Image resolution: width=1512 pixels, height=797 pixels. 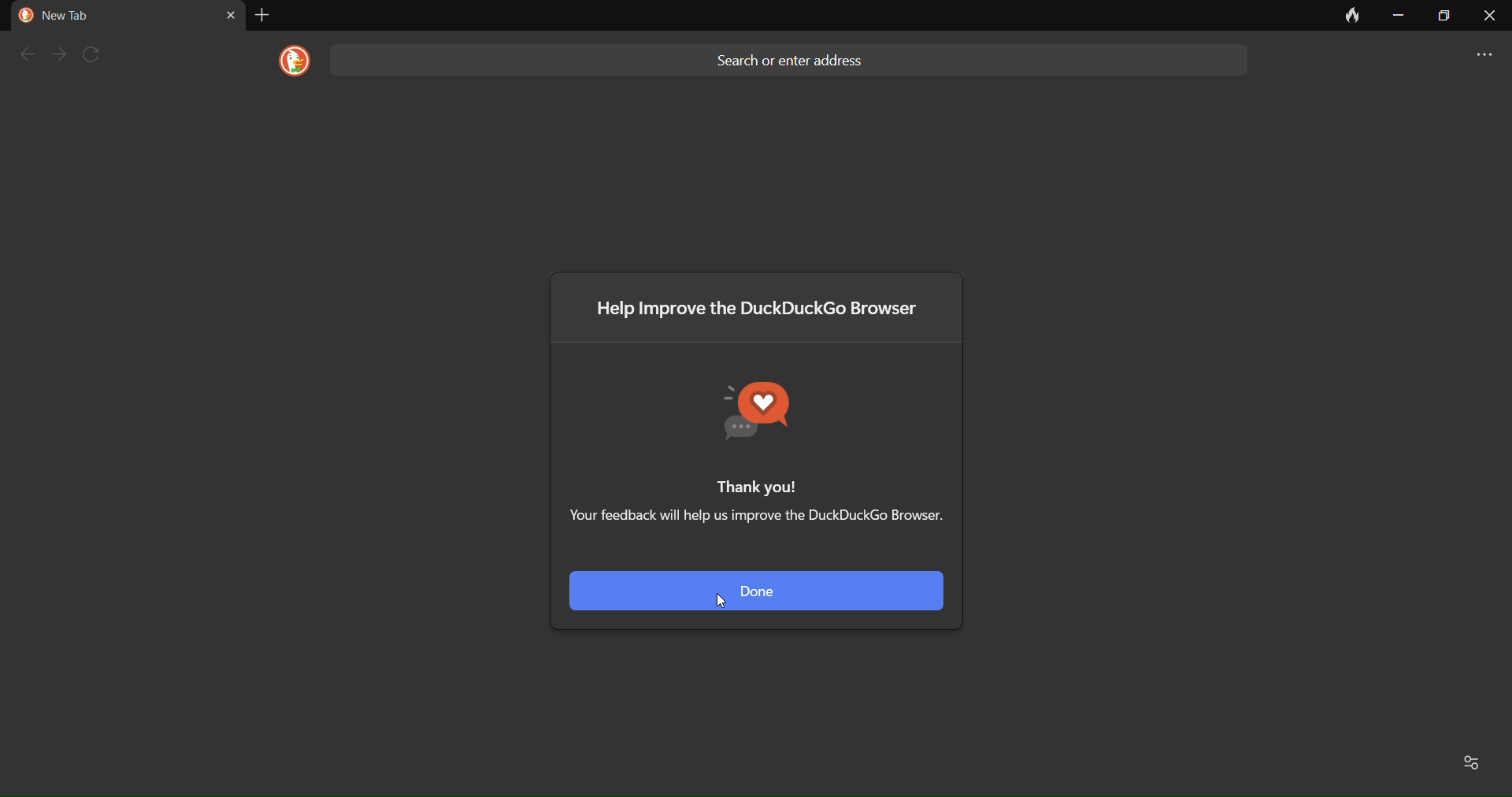 I want to click on close tab, so click(x=230, y=14).